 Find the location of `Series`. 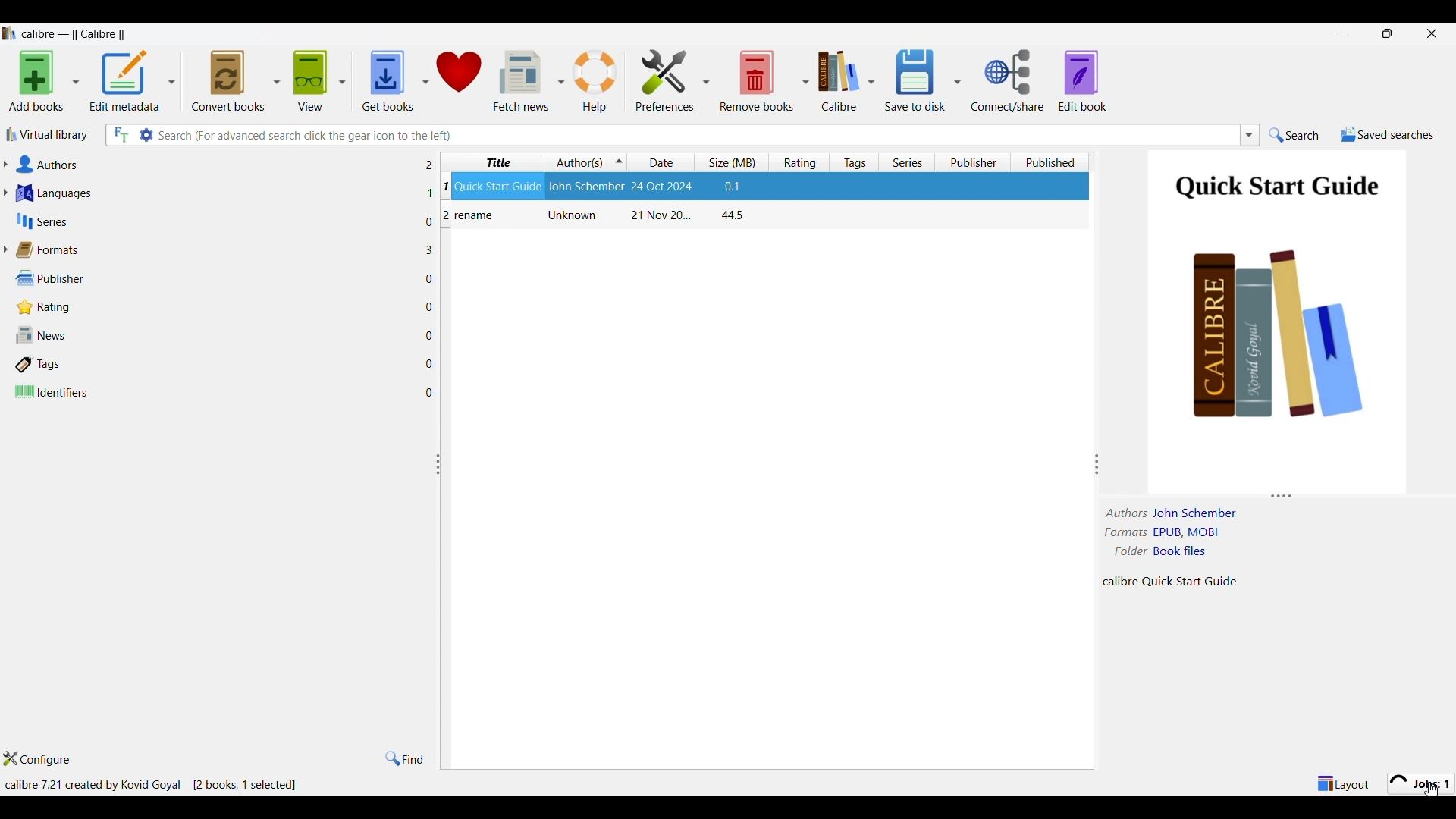

Series is located at coordinates (215, 221).